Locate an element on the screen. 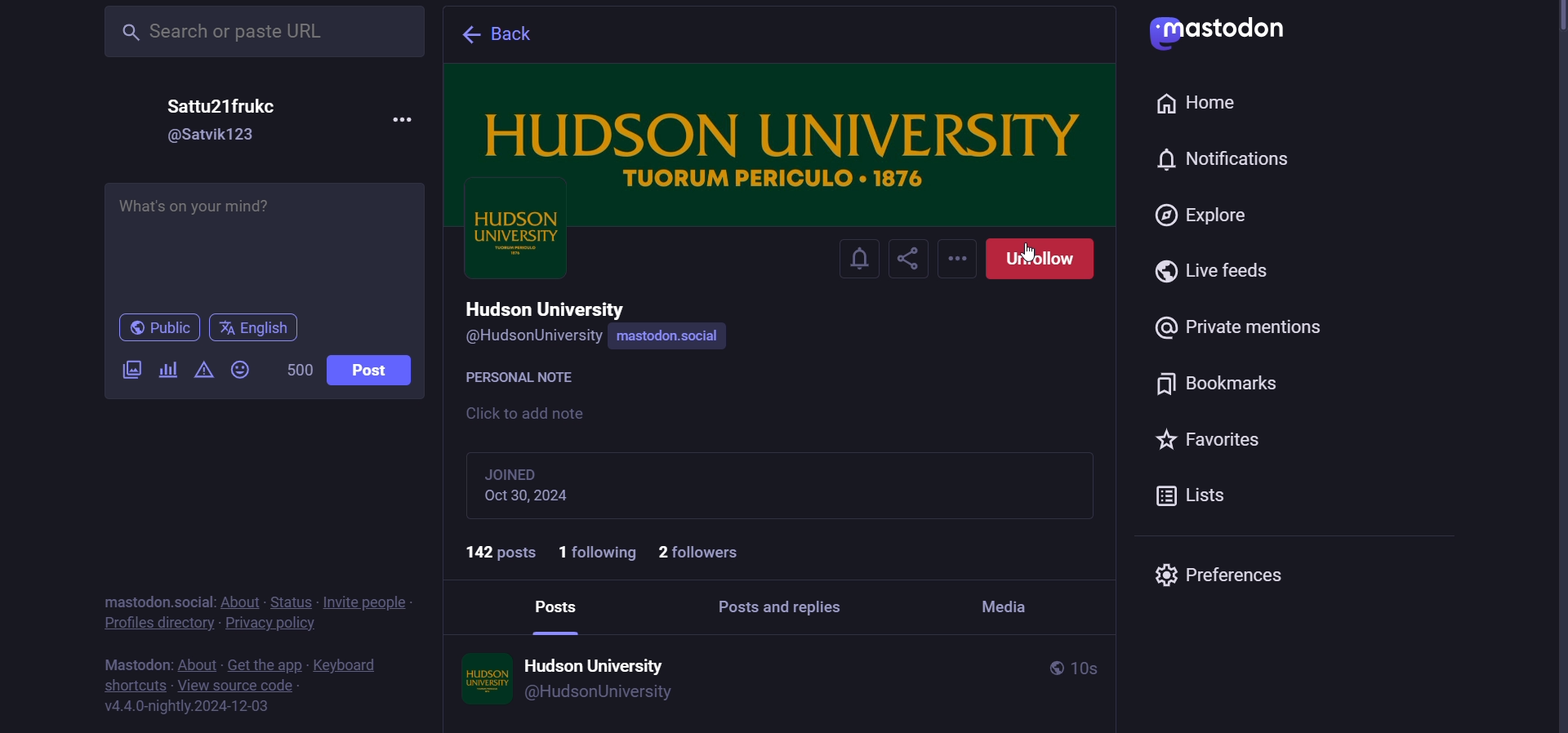  @Satvik123 is located at coordinates (220, 136).